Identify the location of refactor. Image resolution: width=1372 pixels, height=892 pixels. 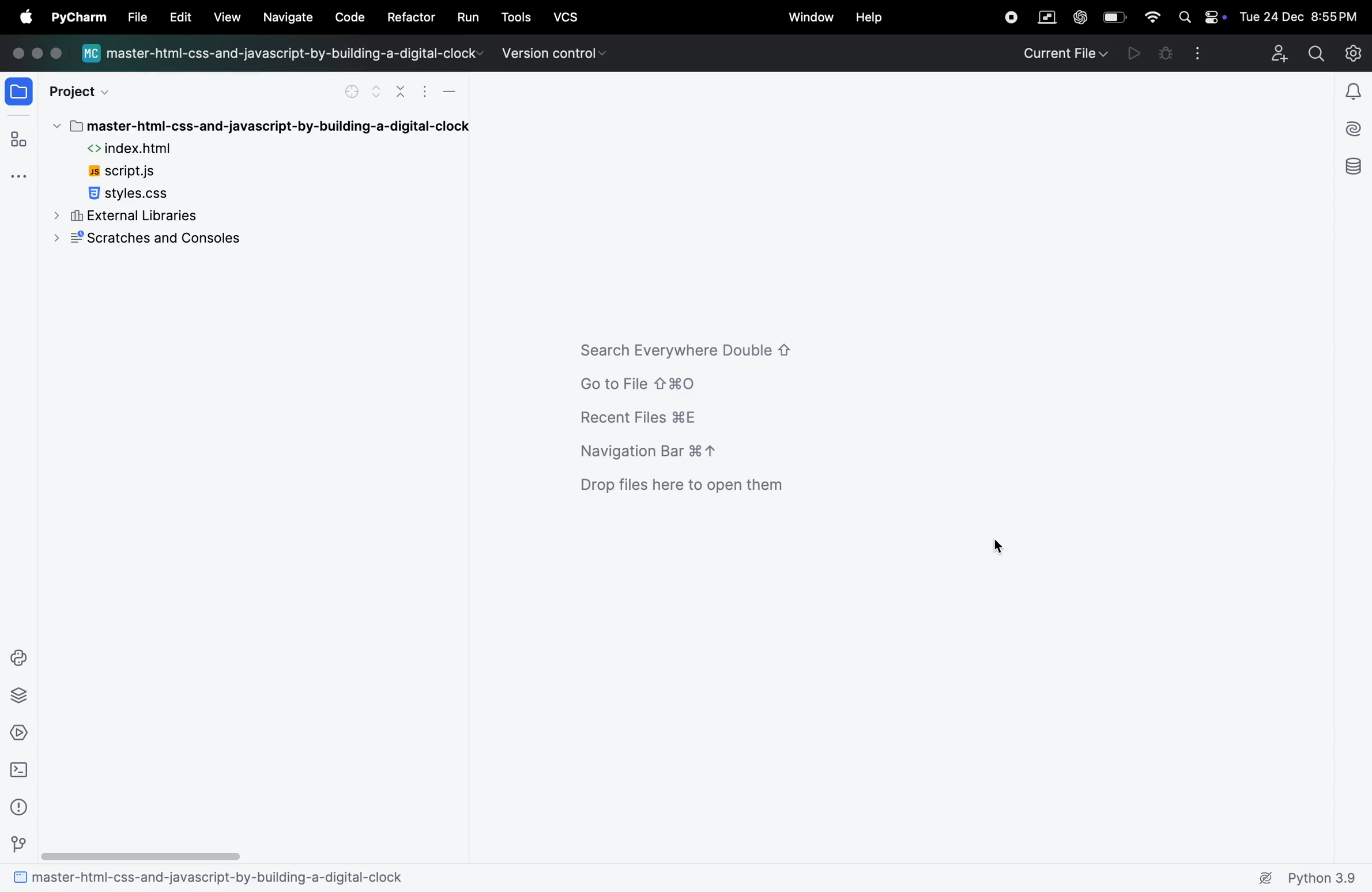
(411, 17).